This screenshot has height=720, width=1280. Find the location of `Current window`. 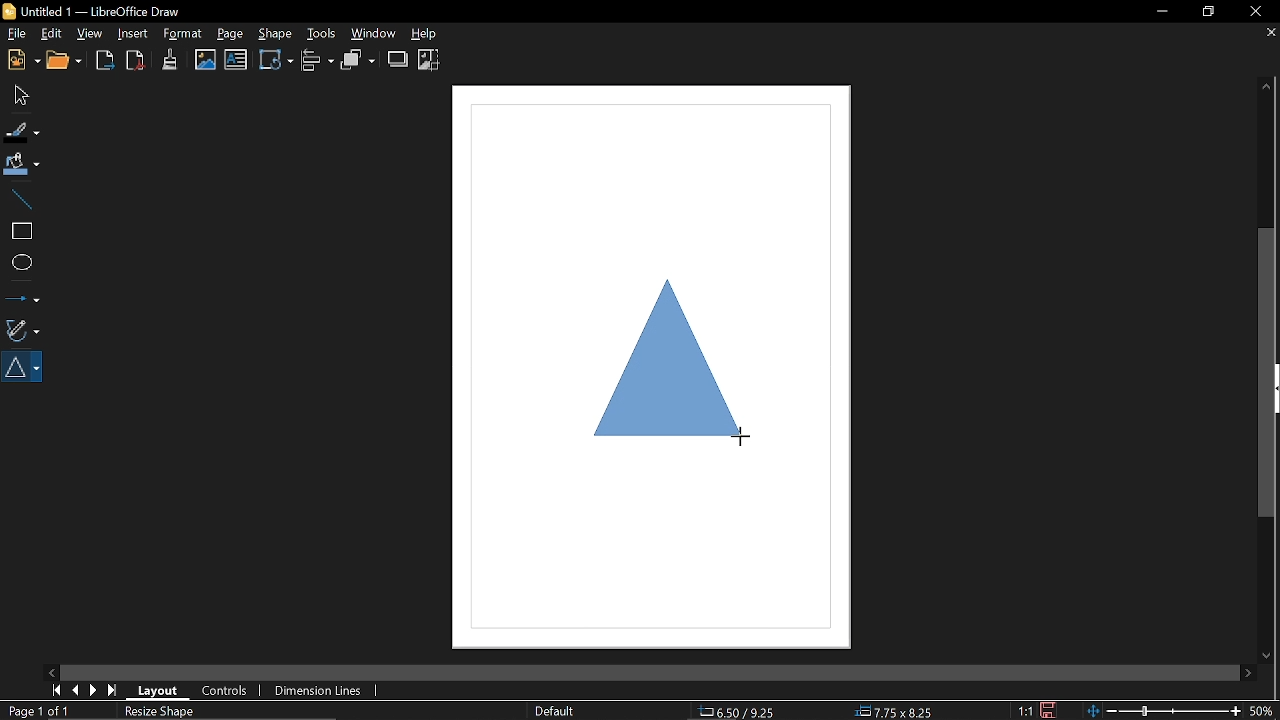

Current window is located at coordinates (100, 10).